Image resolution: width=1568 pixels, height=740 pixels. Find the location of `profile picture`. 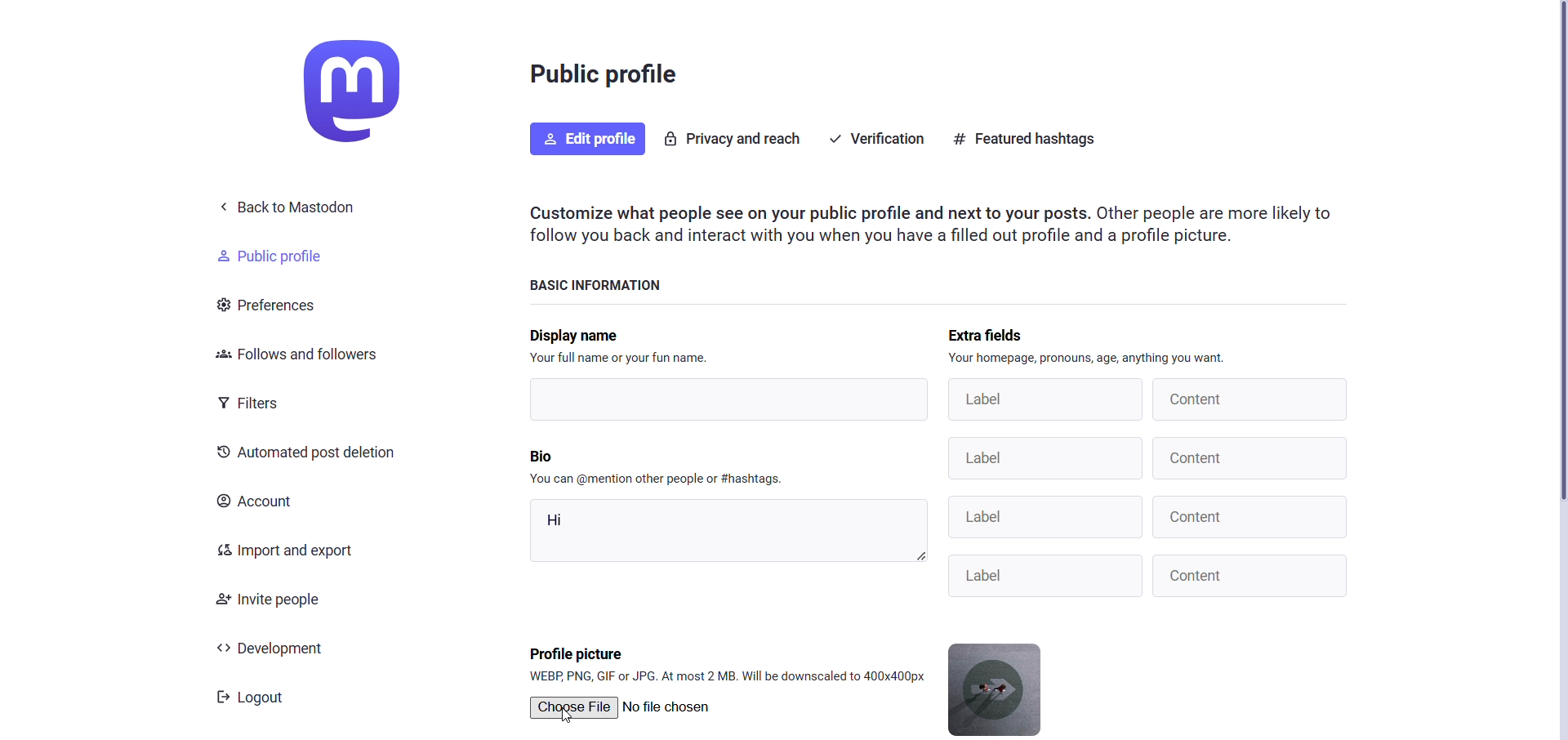

profile picture is located at coordinates (577, 651).